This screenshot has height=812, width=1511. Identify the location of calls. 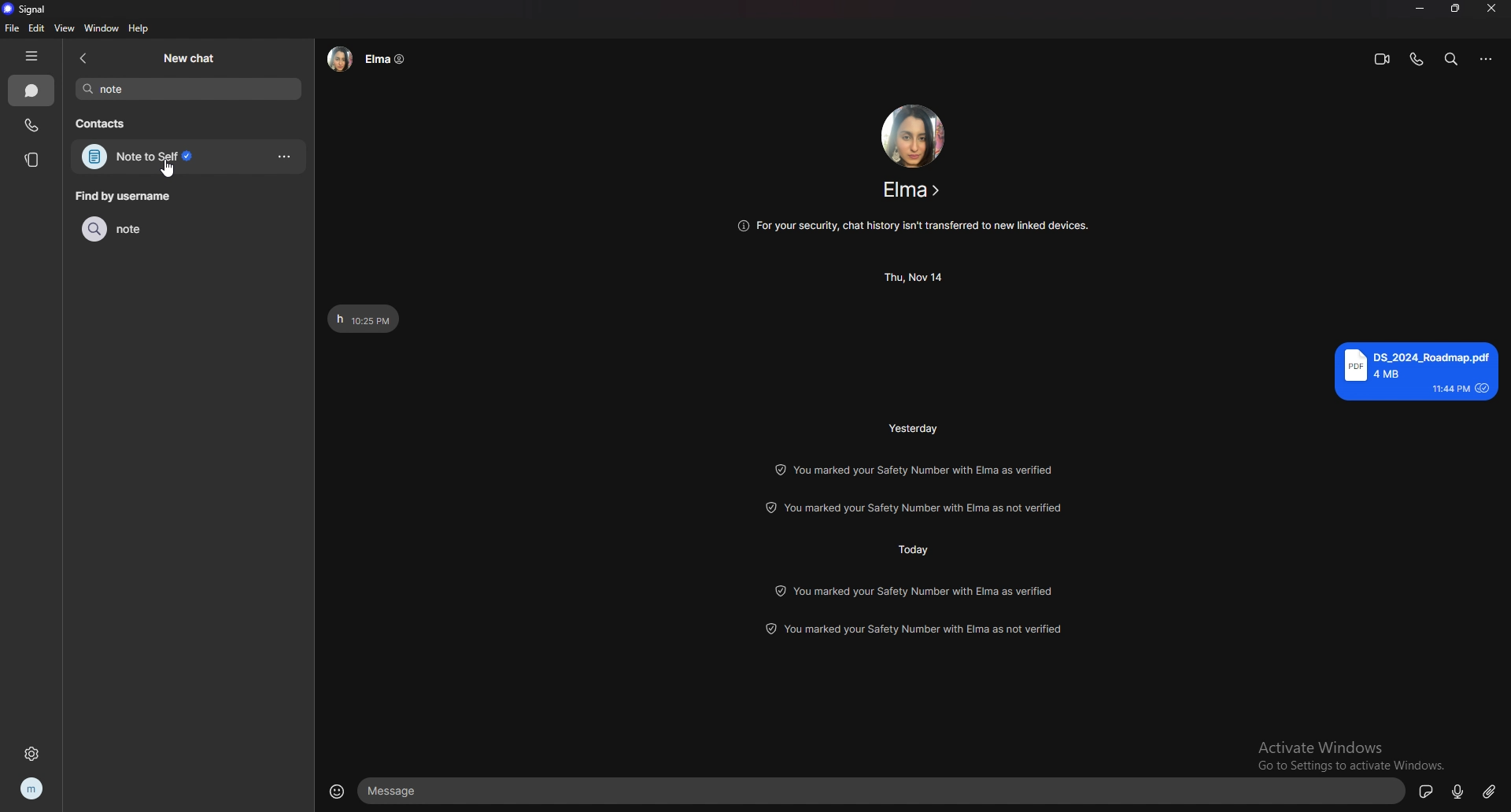
(32, 125).